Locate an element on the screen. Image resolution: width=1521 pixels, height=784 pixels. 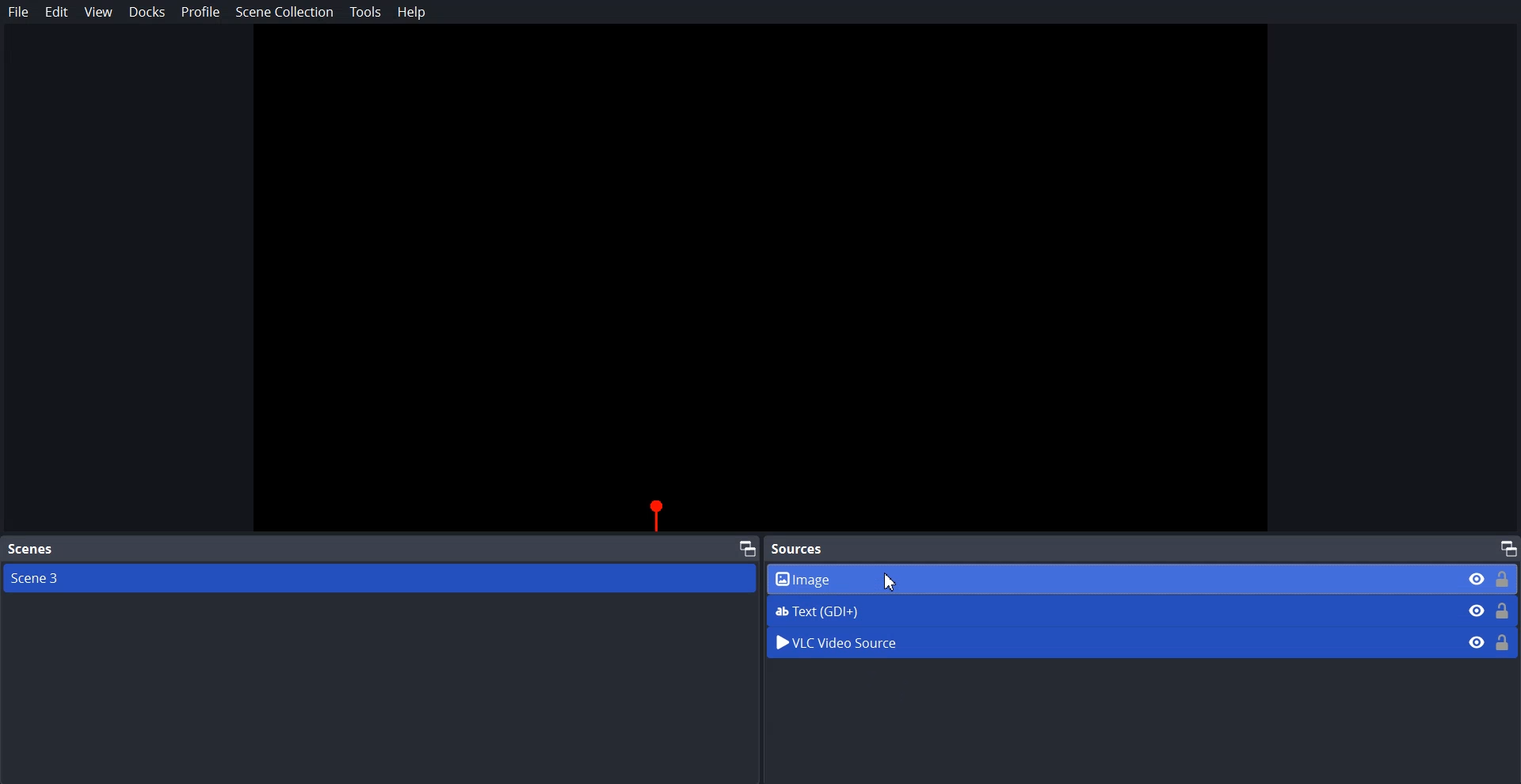
Profile is located at coordinates (201, 11).